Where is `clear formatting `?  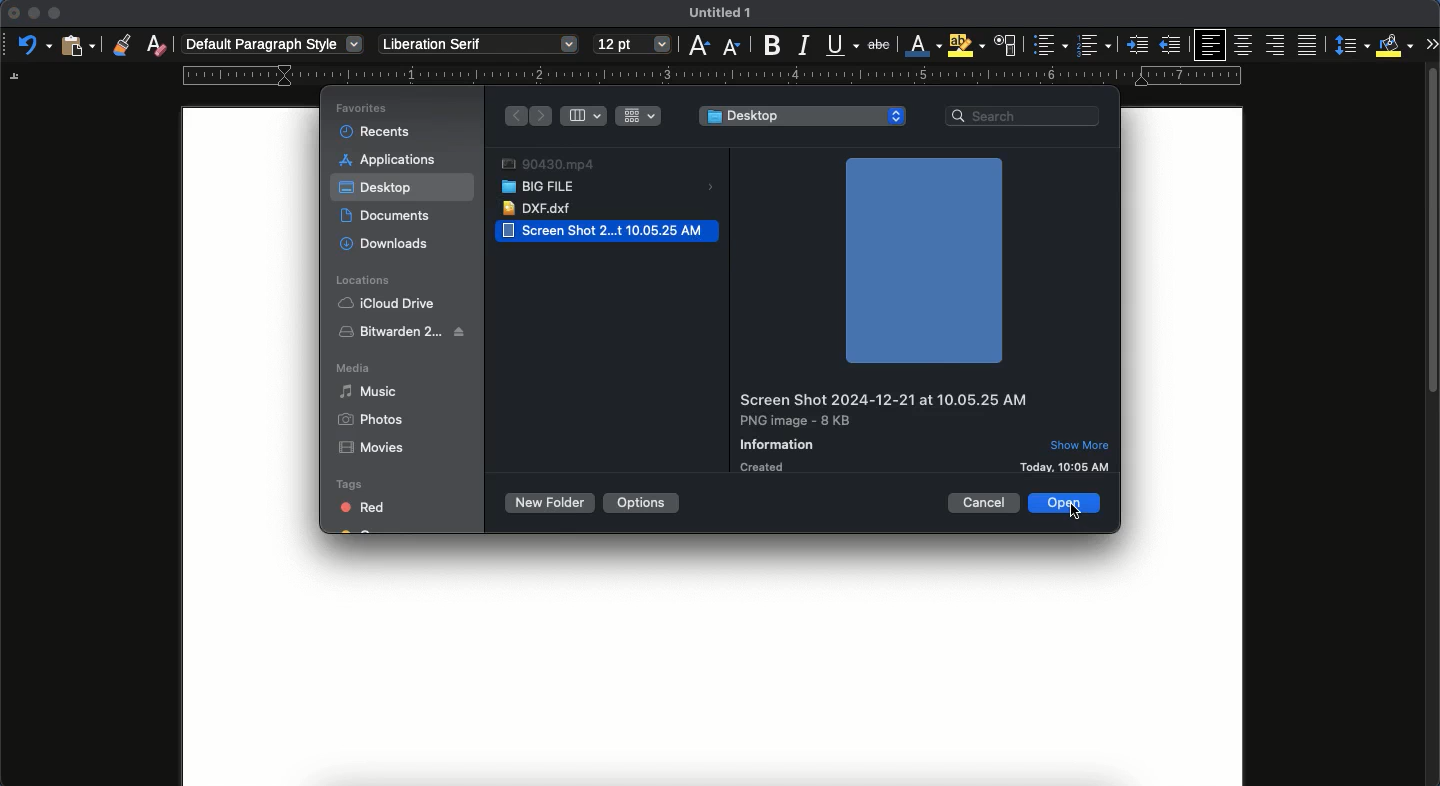
clear formatting  is located at coordinates (156, 44).